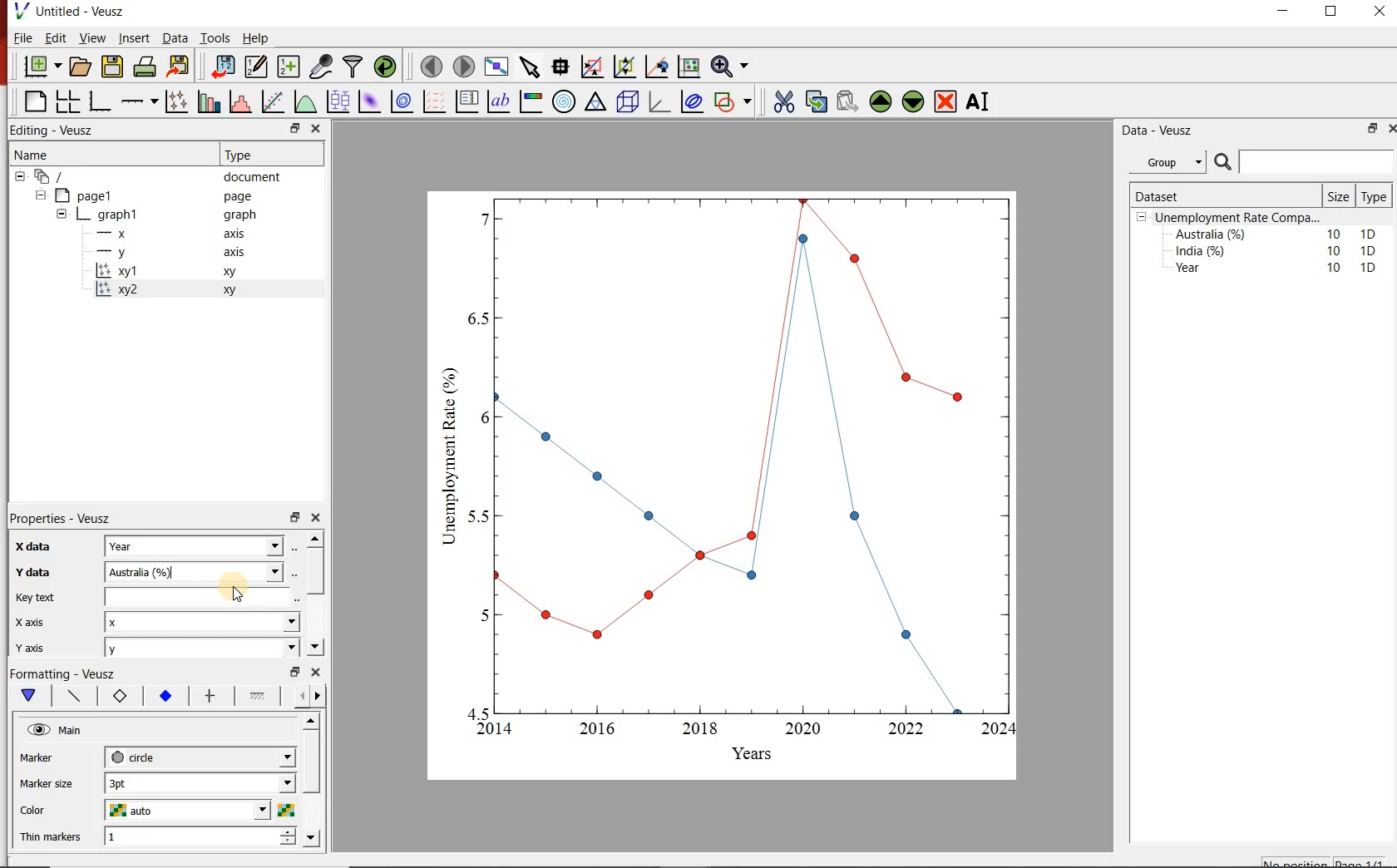  I want to click on Formatting - Veusz, so click(62, 672).